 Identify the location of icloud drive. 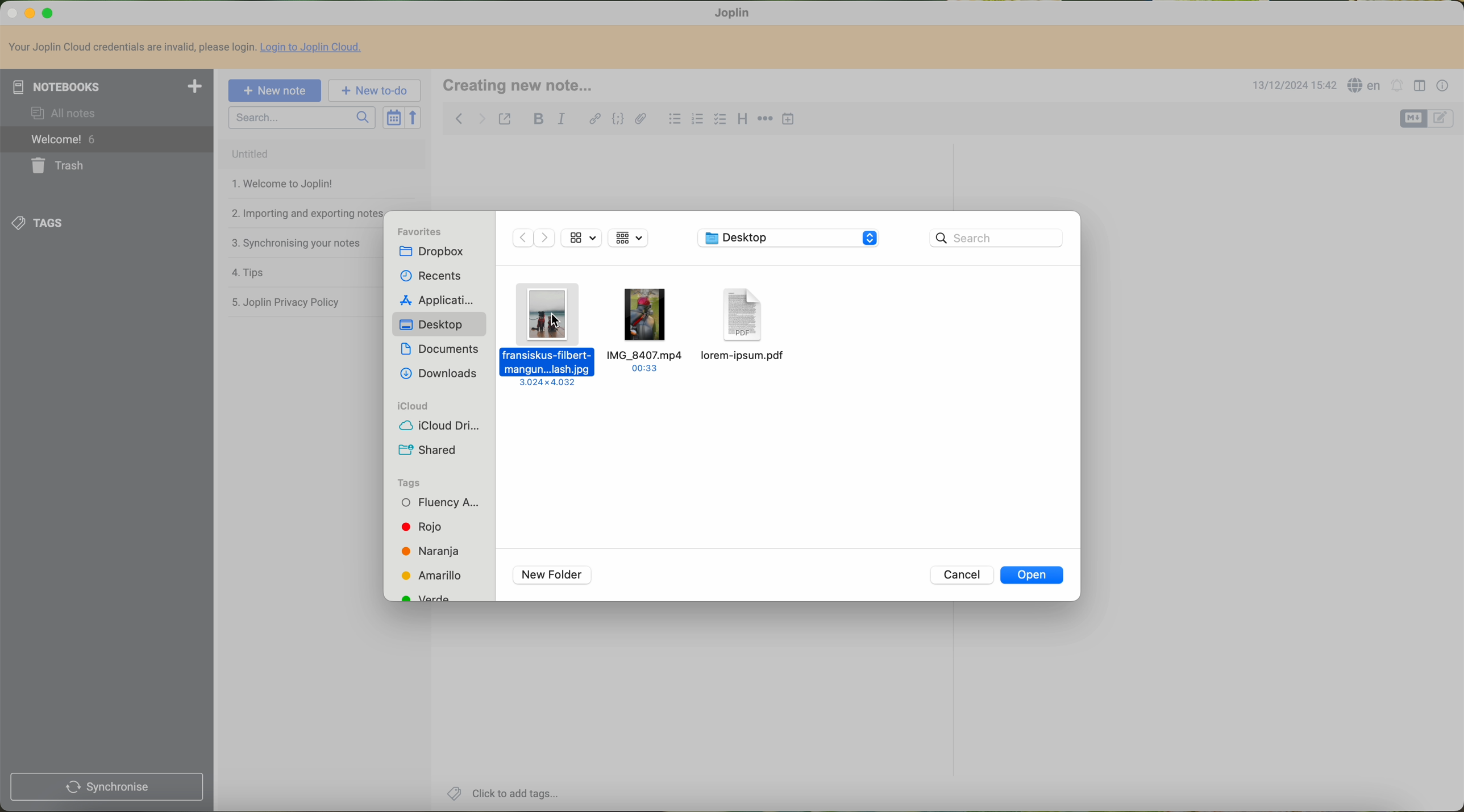
(438, 427).